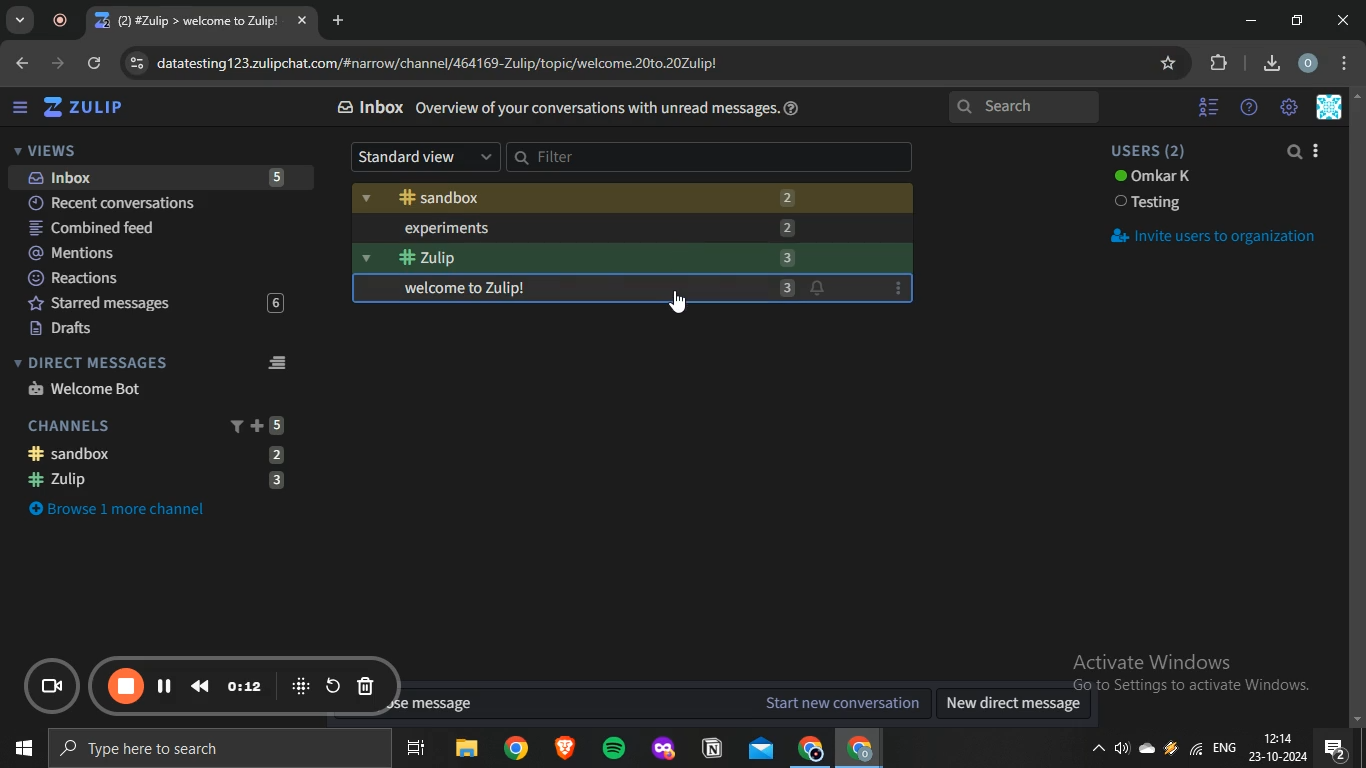  I want to click on wifi, so click(1194, 754).